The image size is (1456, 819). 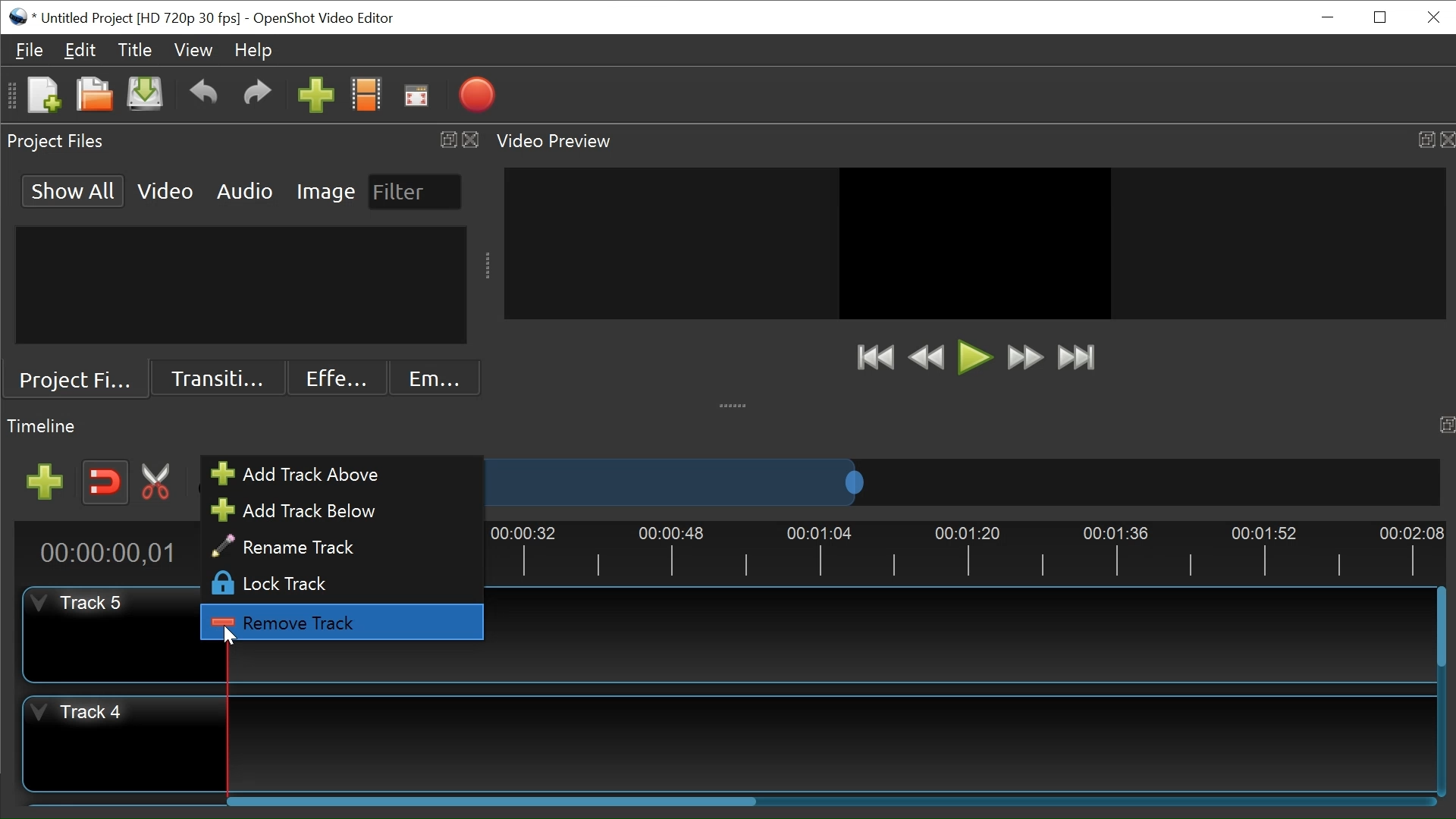 I want to click on Remove Track, so click(x=340, y=623).